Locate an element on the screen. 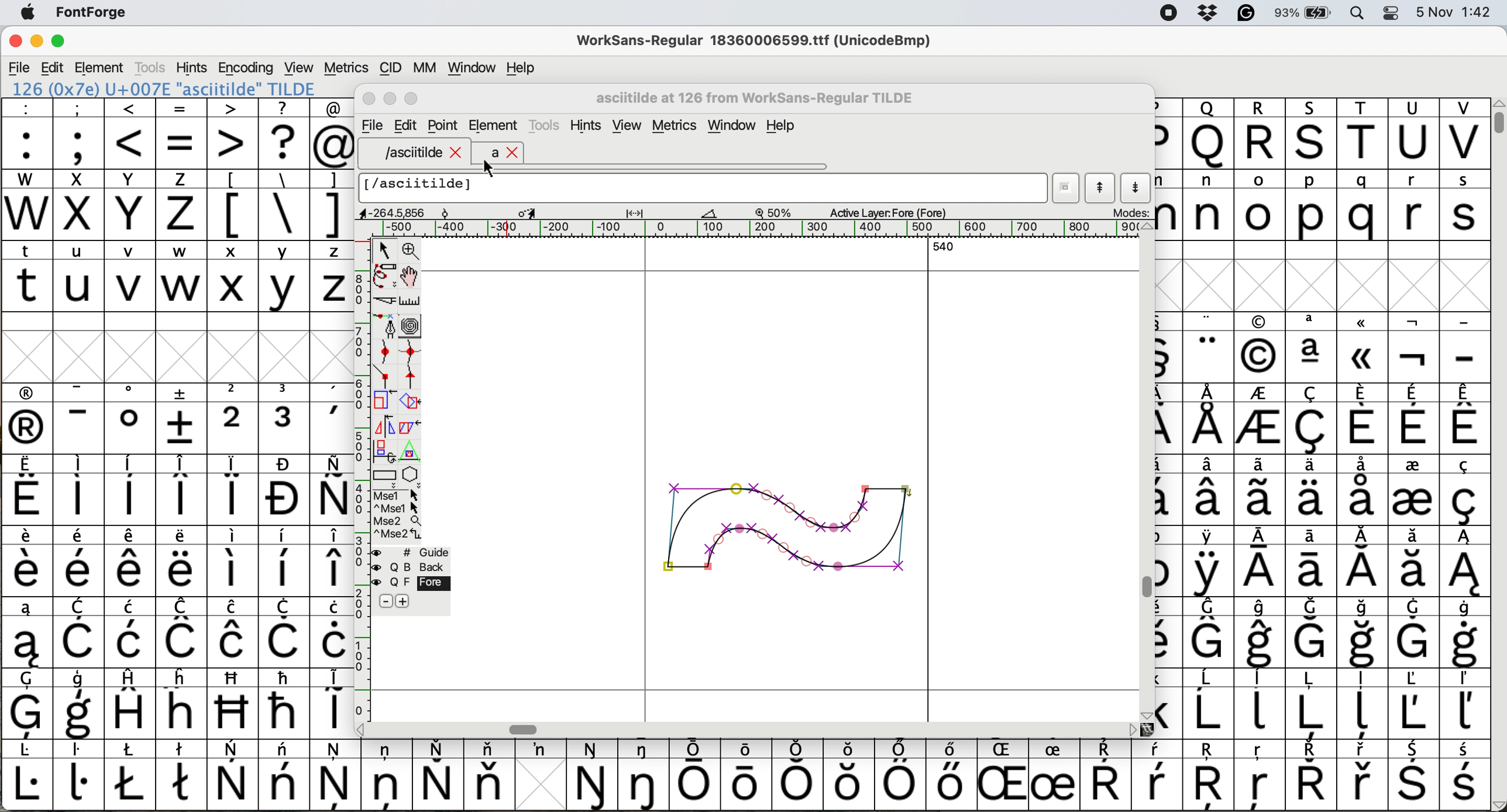 This screenshot has height=812, width=1507. Horizontal scroll bar is located at coordinates (526, 730).